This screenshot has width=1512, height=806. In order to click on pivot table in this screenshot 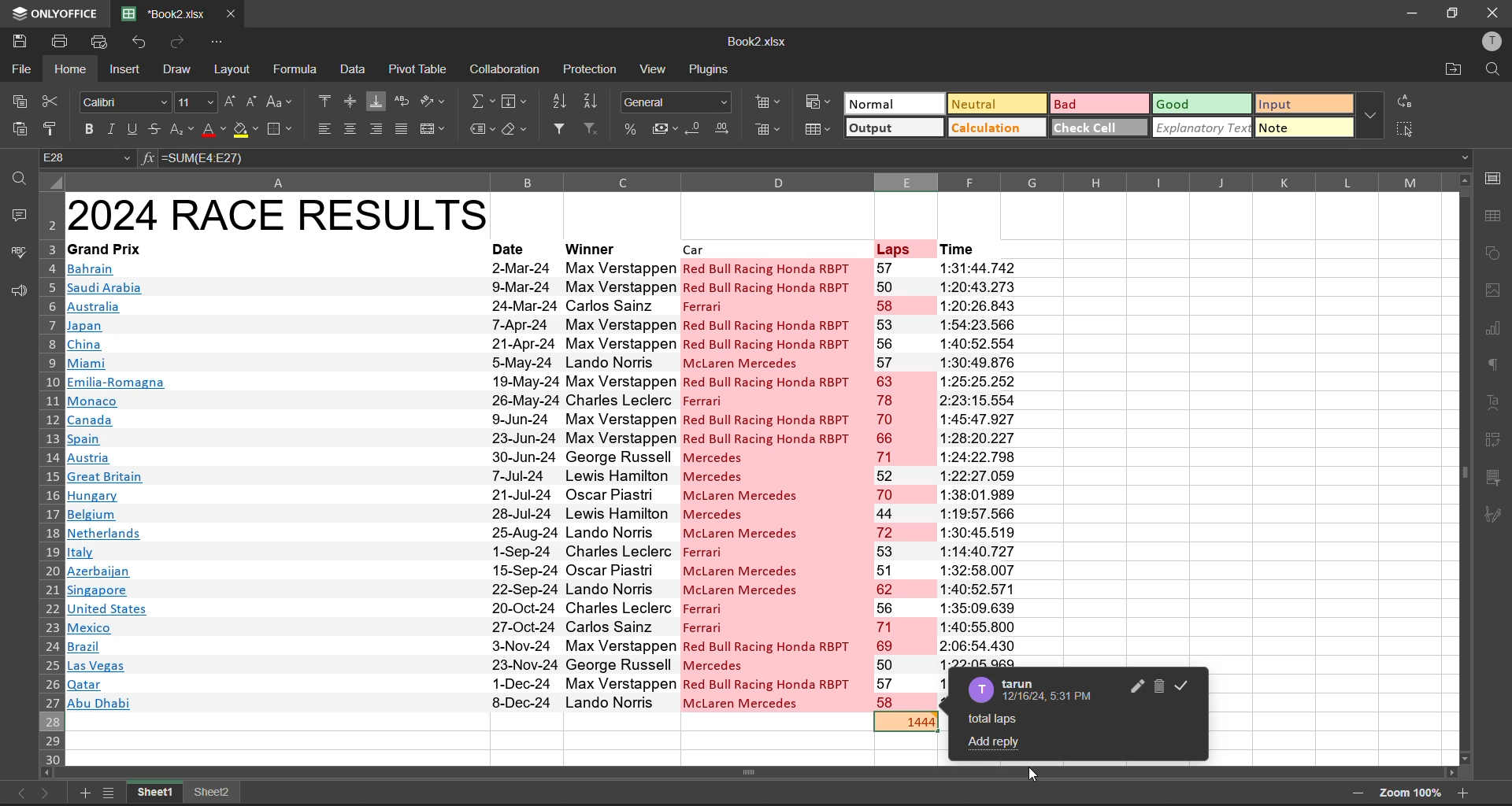, I will do `click(422, 70)`.